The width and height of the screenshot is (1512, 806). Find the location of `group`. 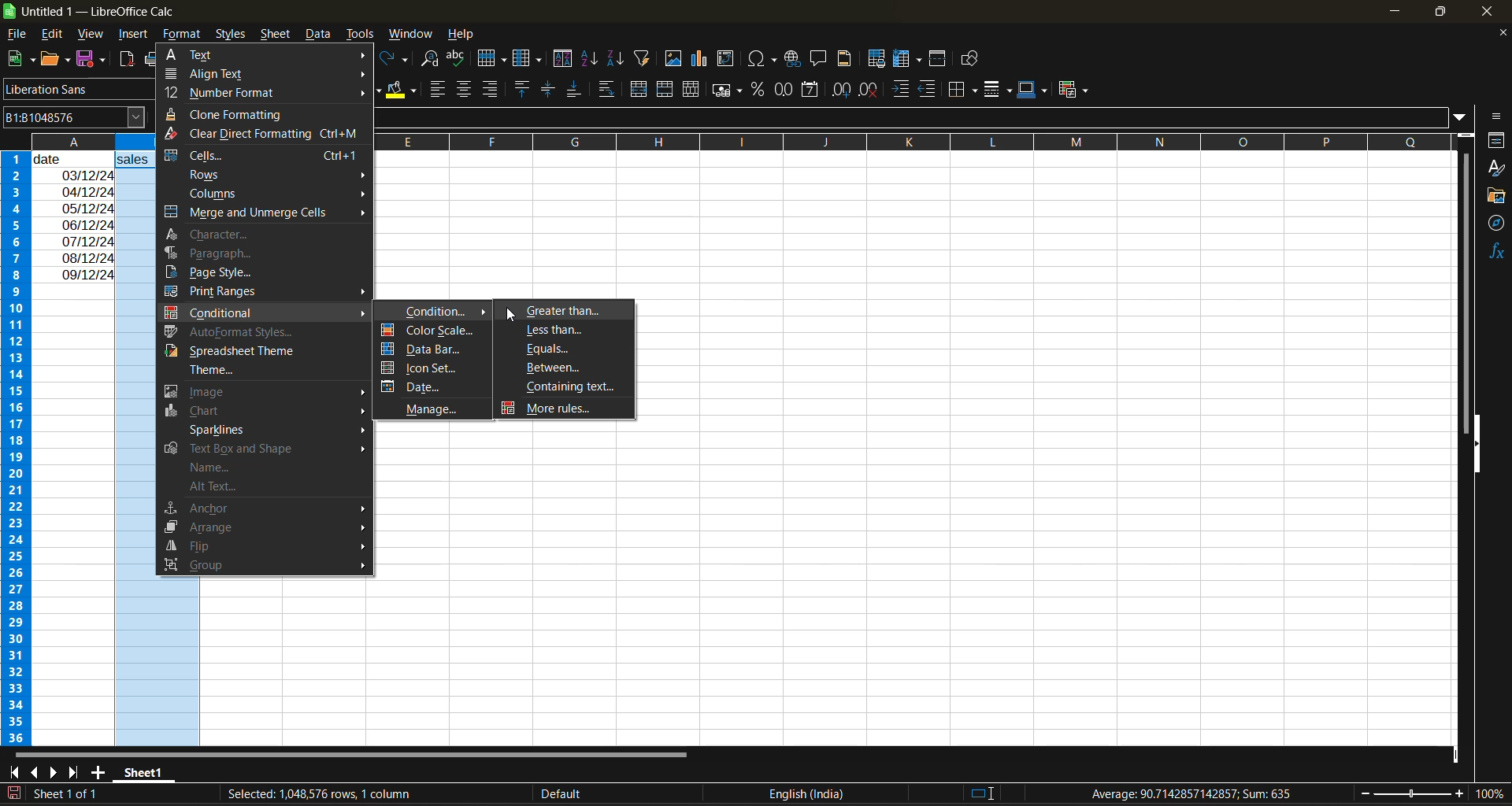

group is located at coordinates (265, 563).